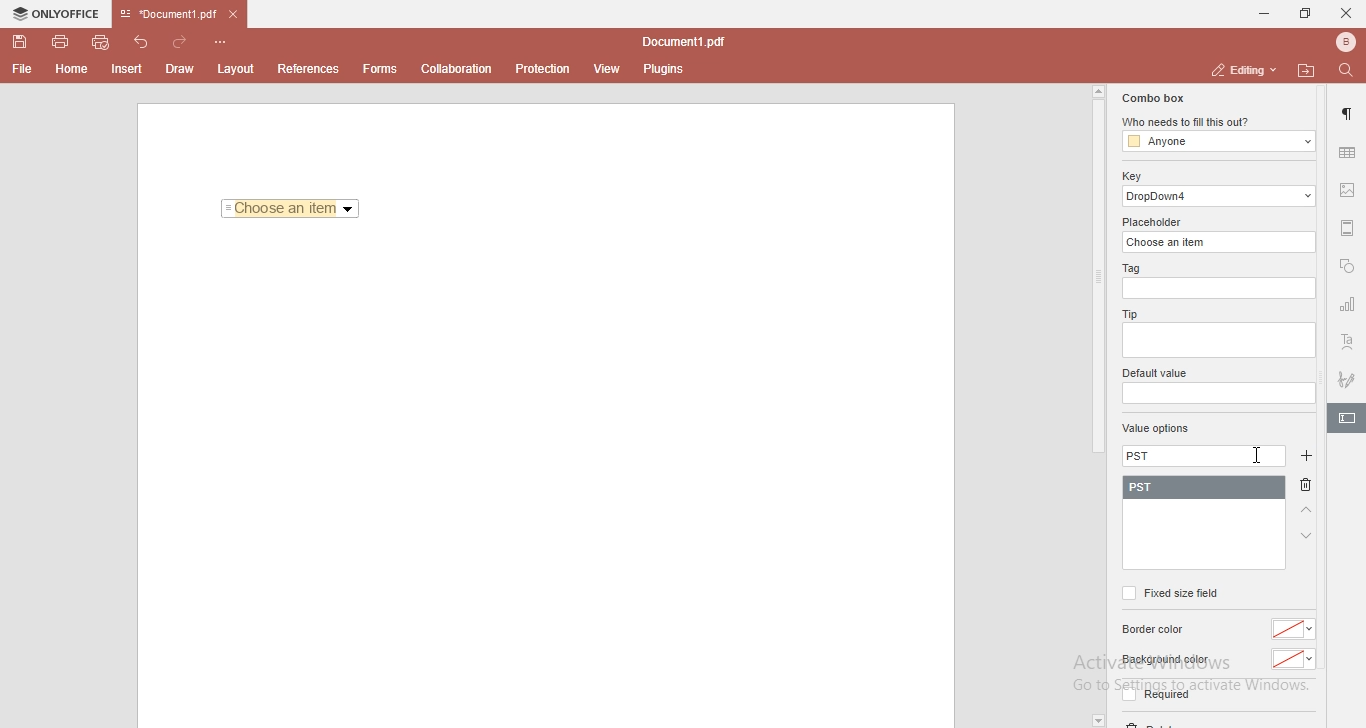 The width and height of the screenshot is (1366, 728). Describe the element at coordinates (1296, 629) in the screenshot. I see `color dropdown` at that location.